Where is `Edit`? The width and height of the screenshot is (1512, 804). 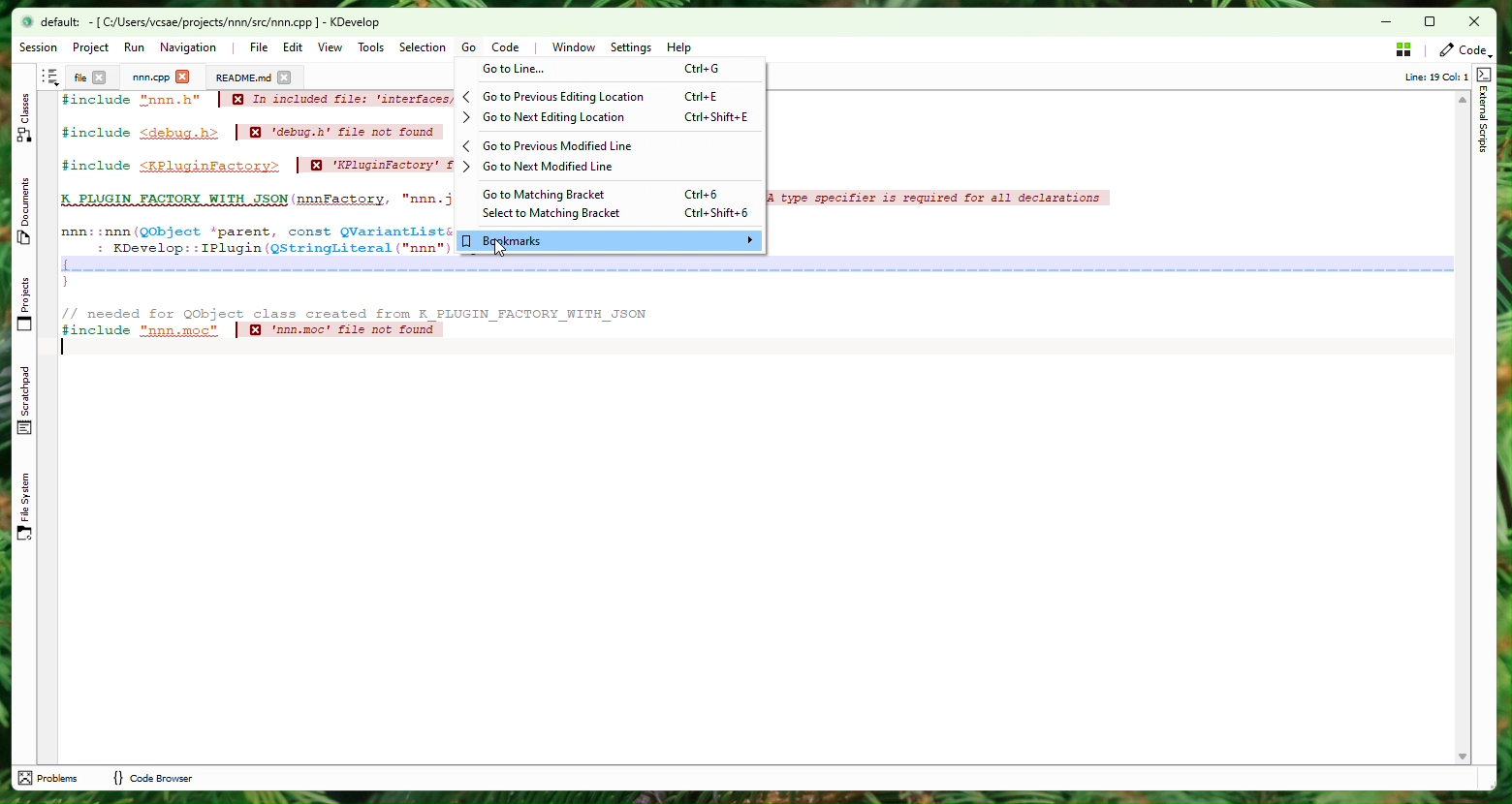 Edit is located at coordinates (294, 47).